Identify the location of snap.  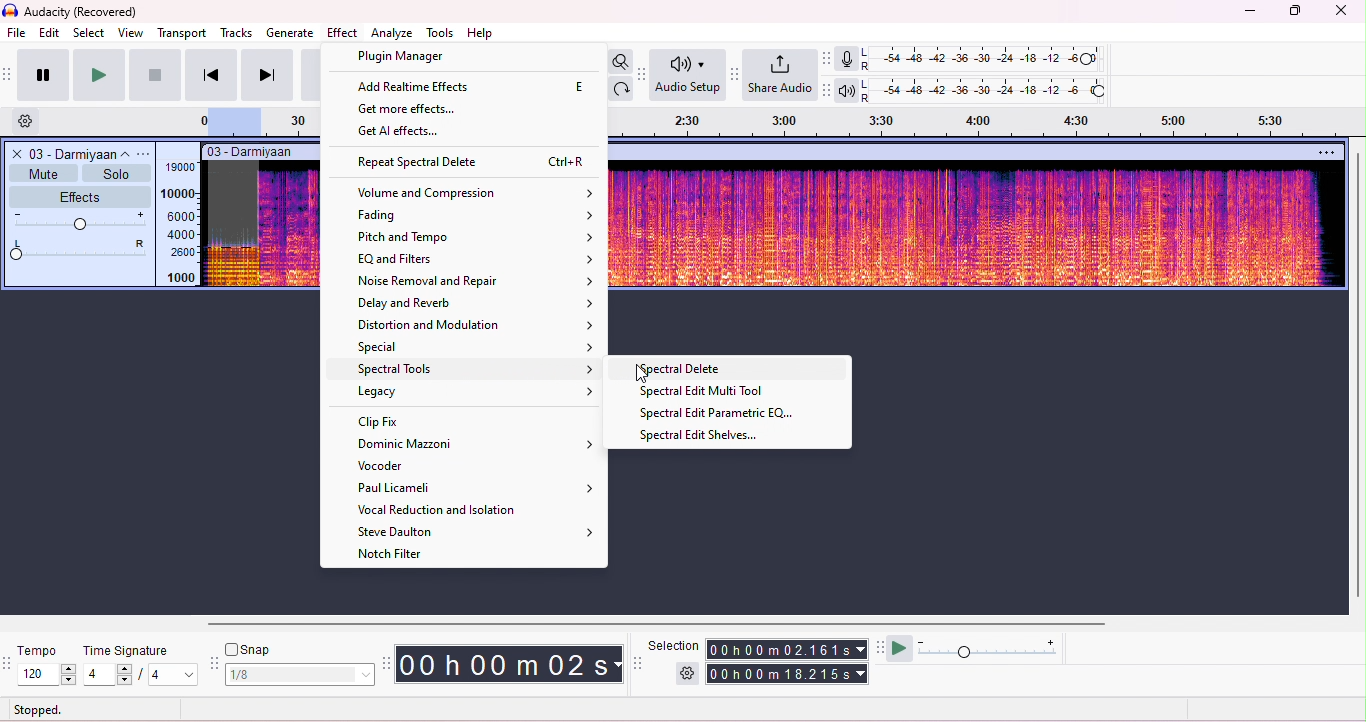
(254, 648).